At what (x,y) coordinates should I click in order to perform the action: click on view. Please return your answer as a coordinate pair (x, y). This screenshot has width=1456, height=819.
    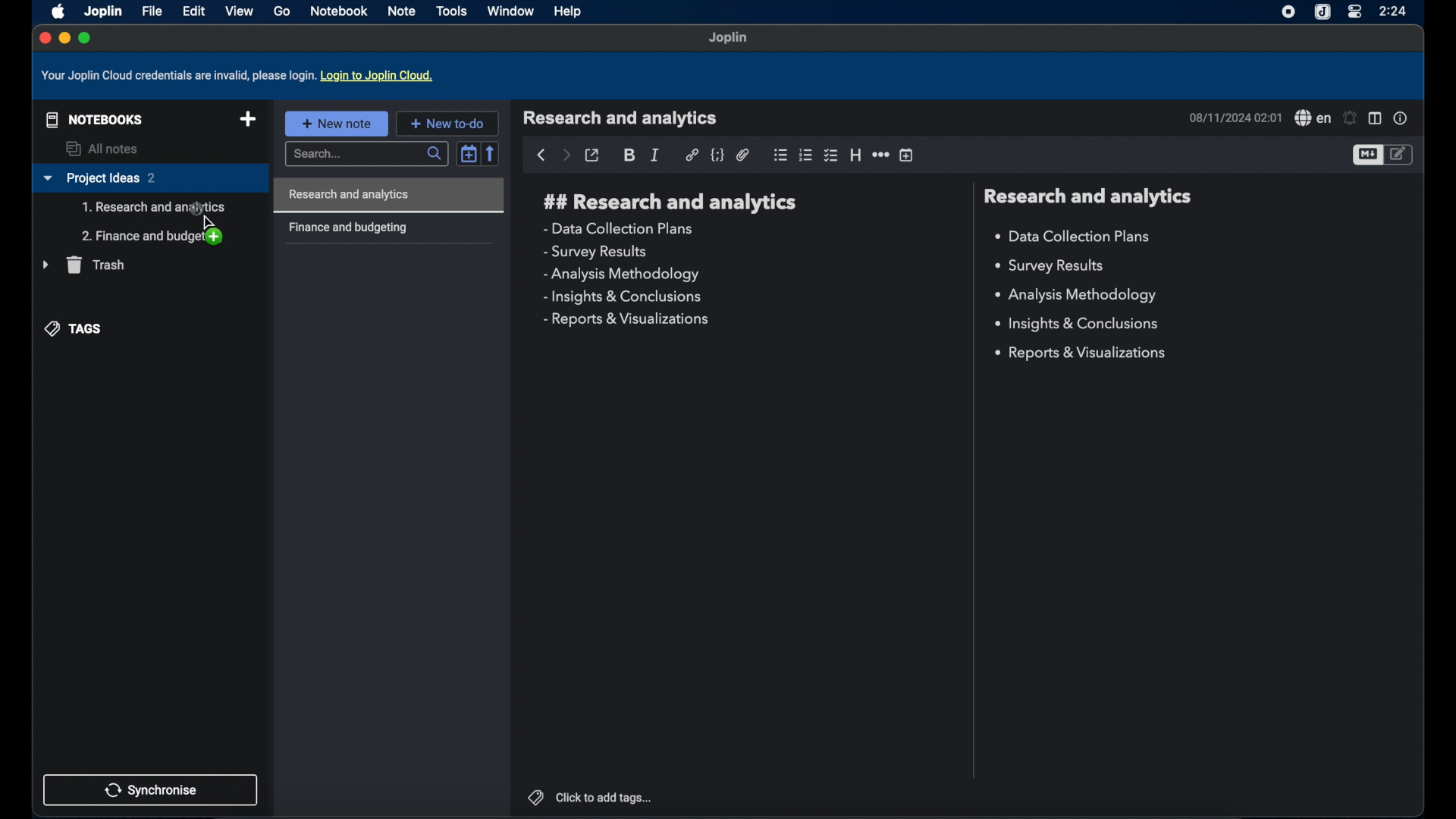
    Looking at the image, I should click on (239, 11).